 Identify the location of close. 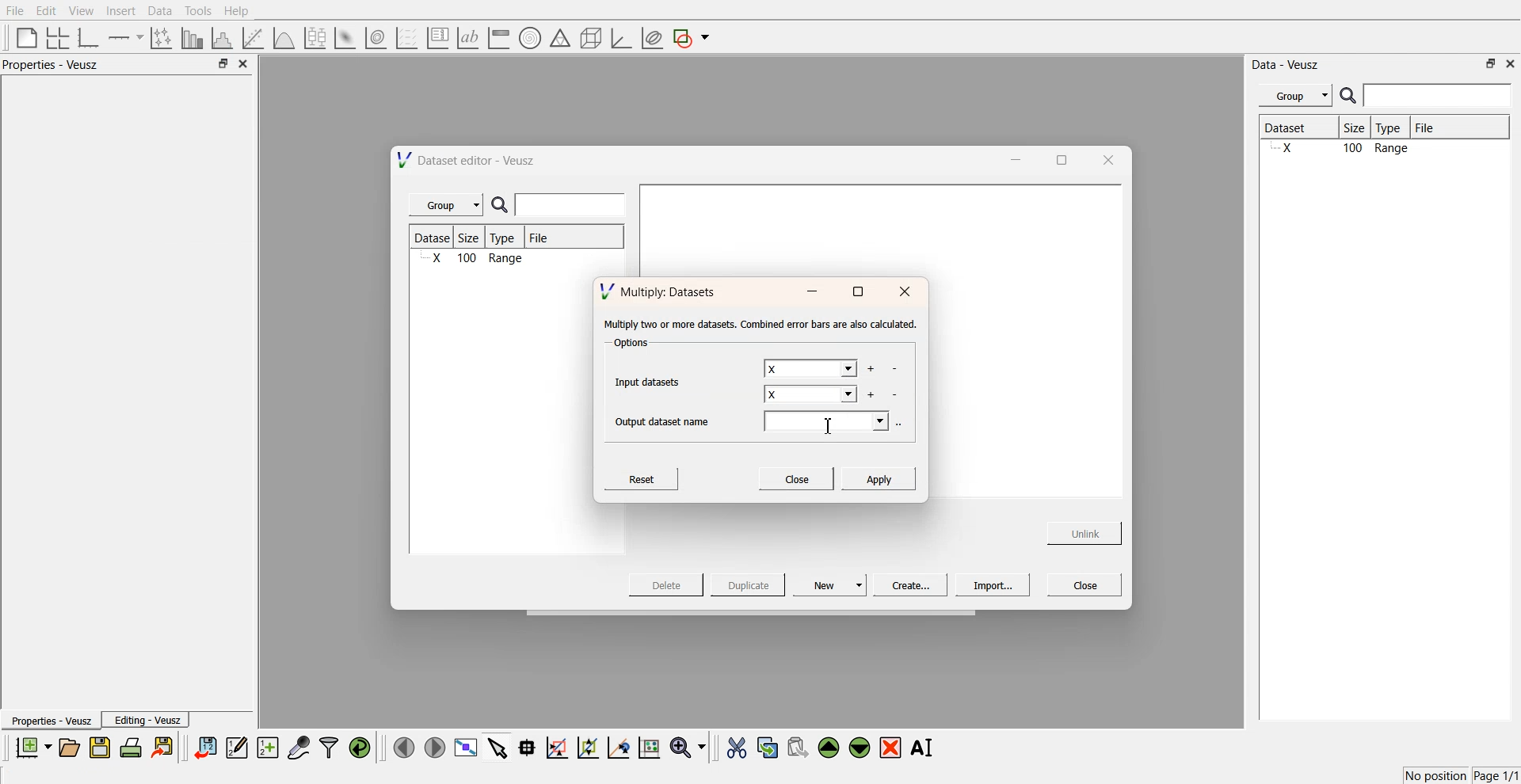
(1511, 63).